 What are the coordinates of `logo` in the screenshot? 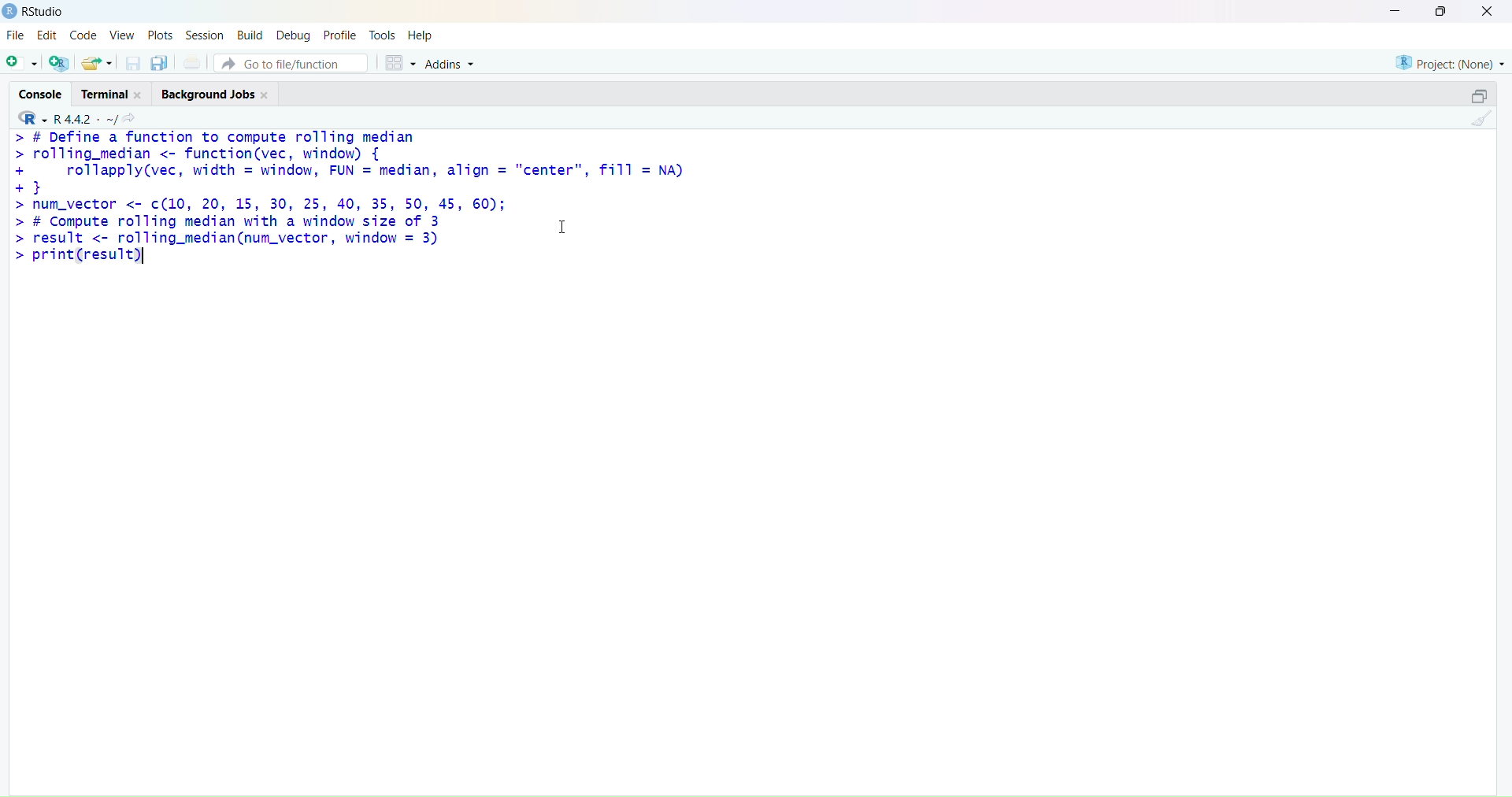 It's located at (11, 11).